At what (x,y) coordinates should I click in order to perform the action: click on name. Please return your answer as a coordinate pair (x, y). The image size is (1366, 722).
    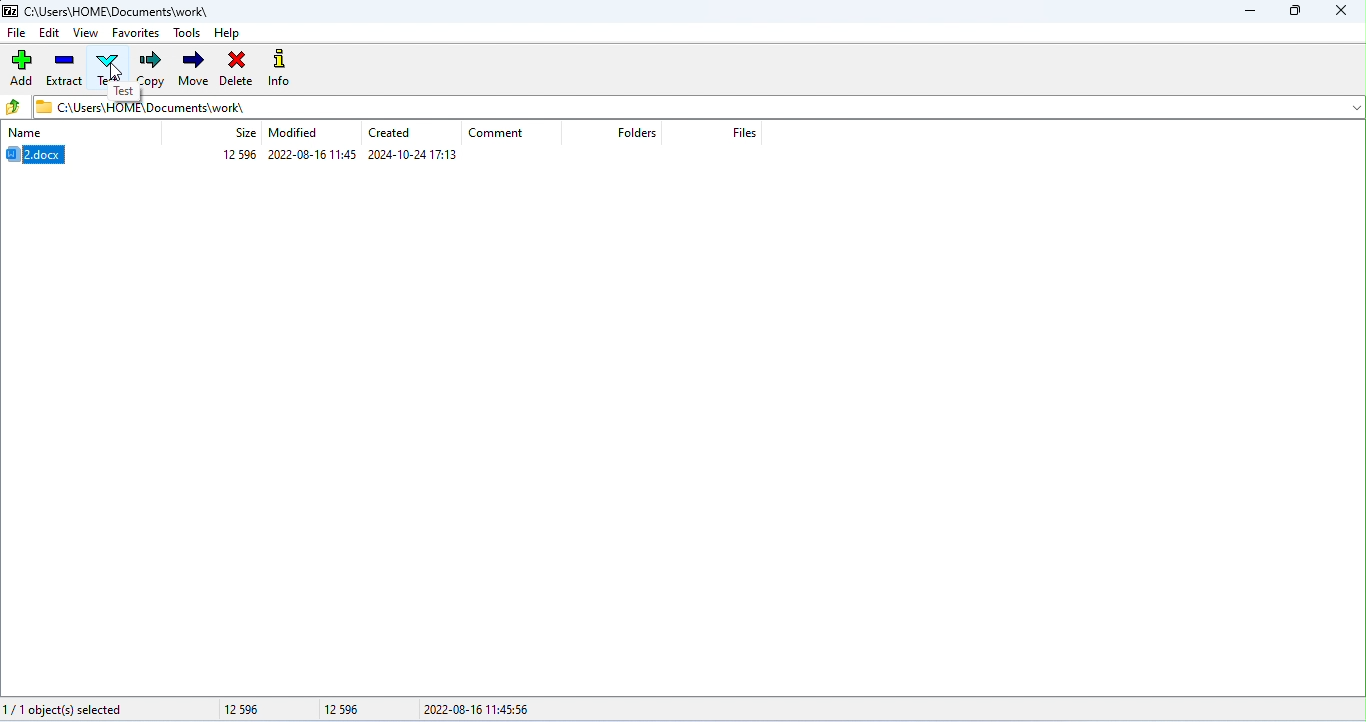
    Looking at the image, I should click on (26, 134).